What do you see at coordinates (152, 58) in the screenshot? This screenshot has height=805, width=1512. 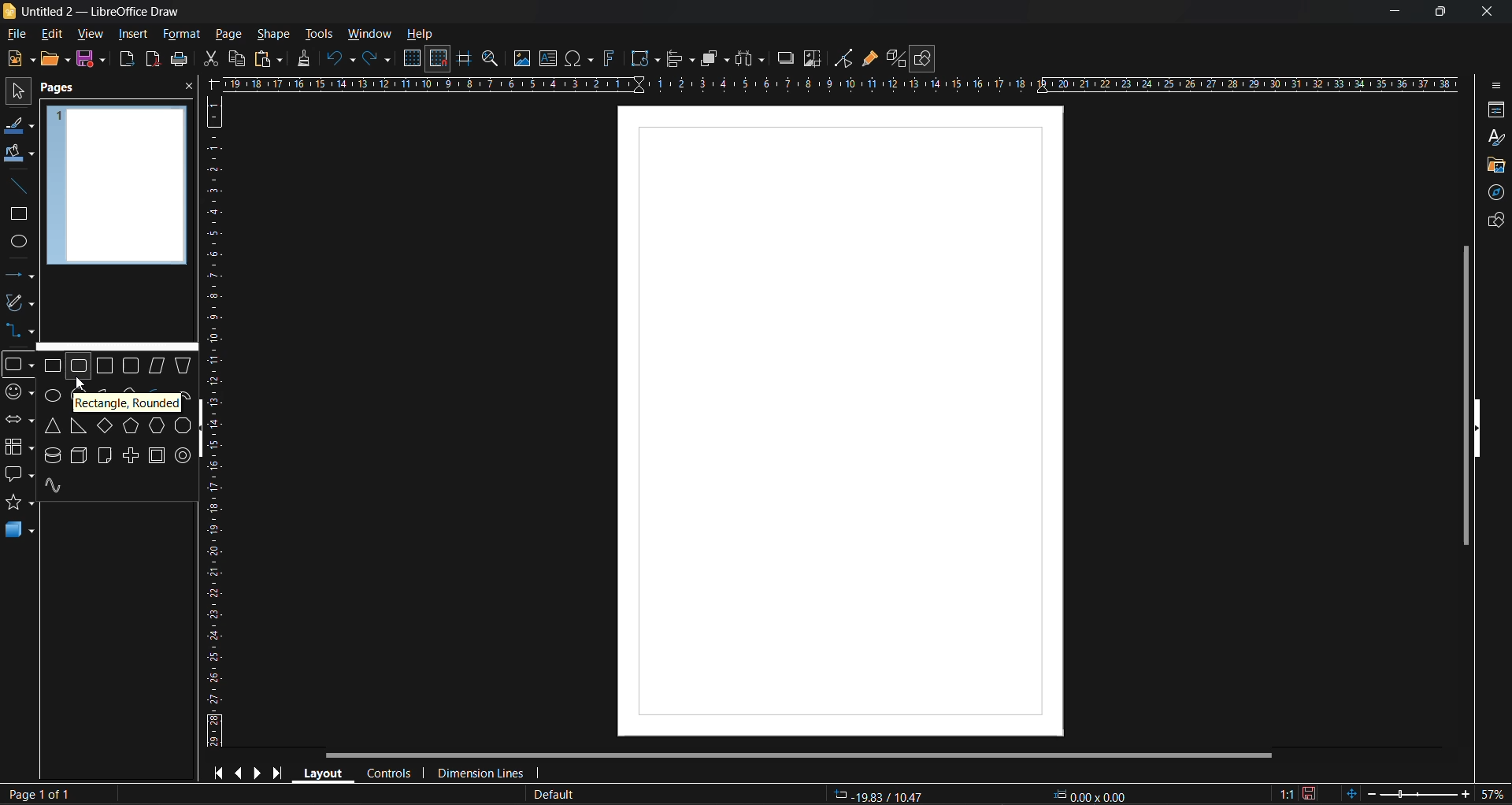 I see `export as pdf` at bounding box center [152, 58].